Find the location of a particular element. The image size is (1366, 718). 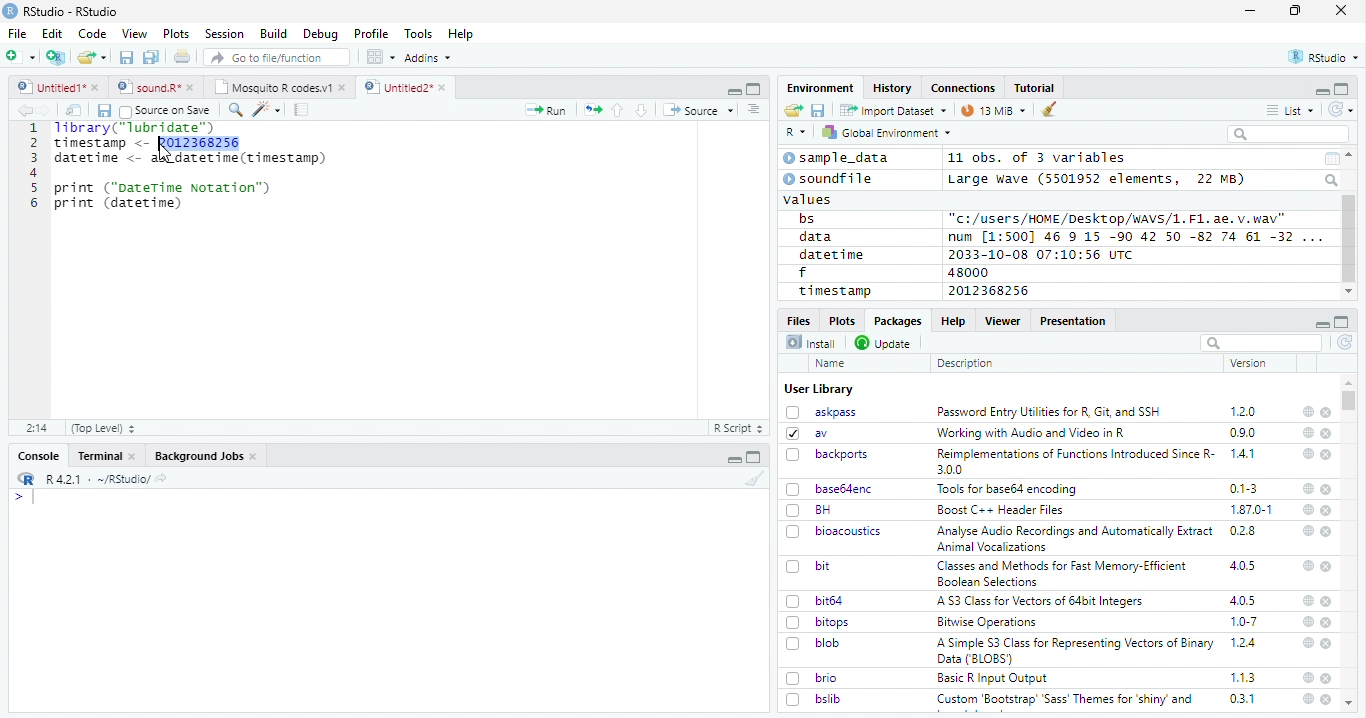

0.3.1 is located at coordinates (1242, 698).